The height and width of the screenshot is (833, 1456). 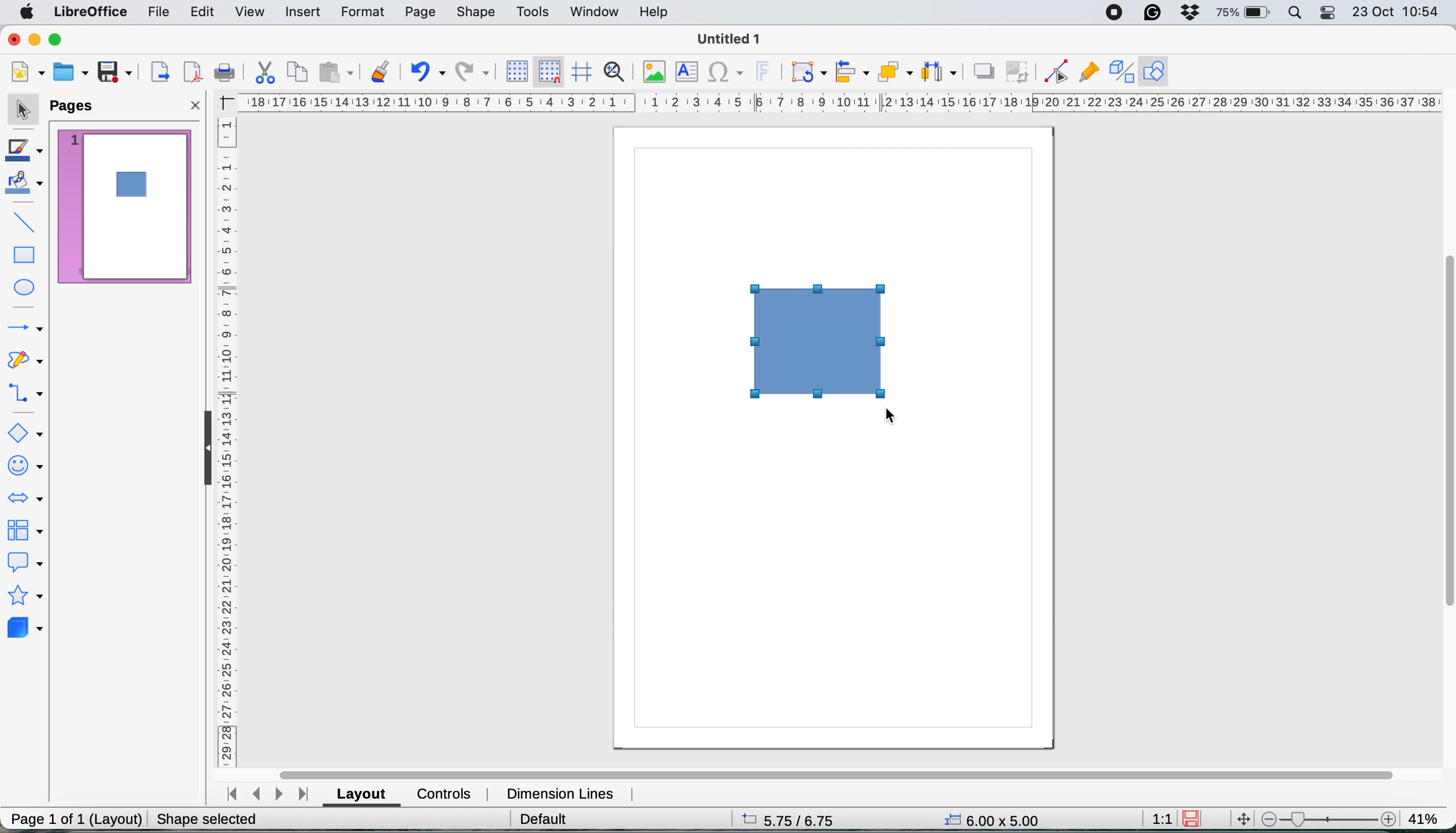 I want to click on ellipse, so click(x=27, y=286).